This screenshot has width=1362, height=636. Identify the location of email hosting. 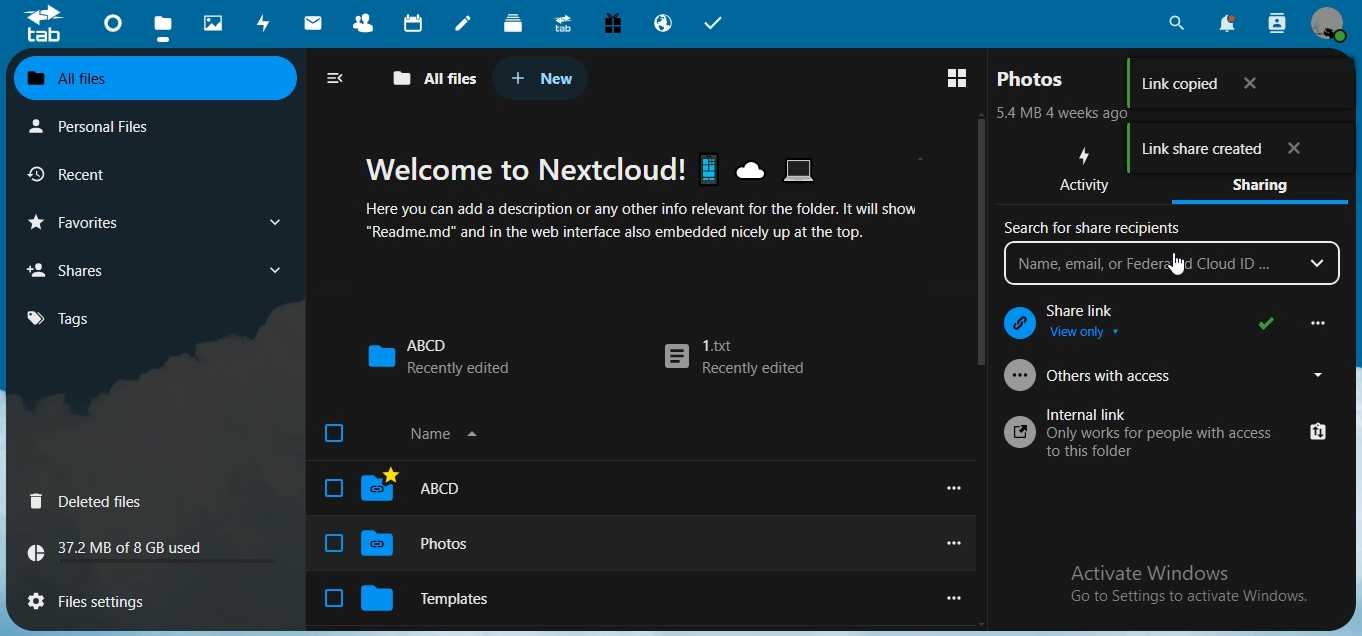
(664, 25).